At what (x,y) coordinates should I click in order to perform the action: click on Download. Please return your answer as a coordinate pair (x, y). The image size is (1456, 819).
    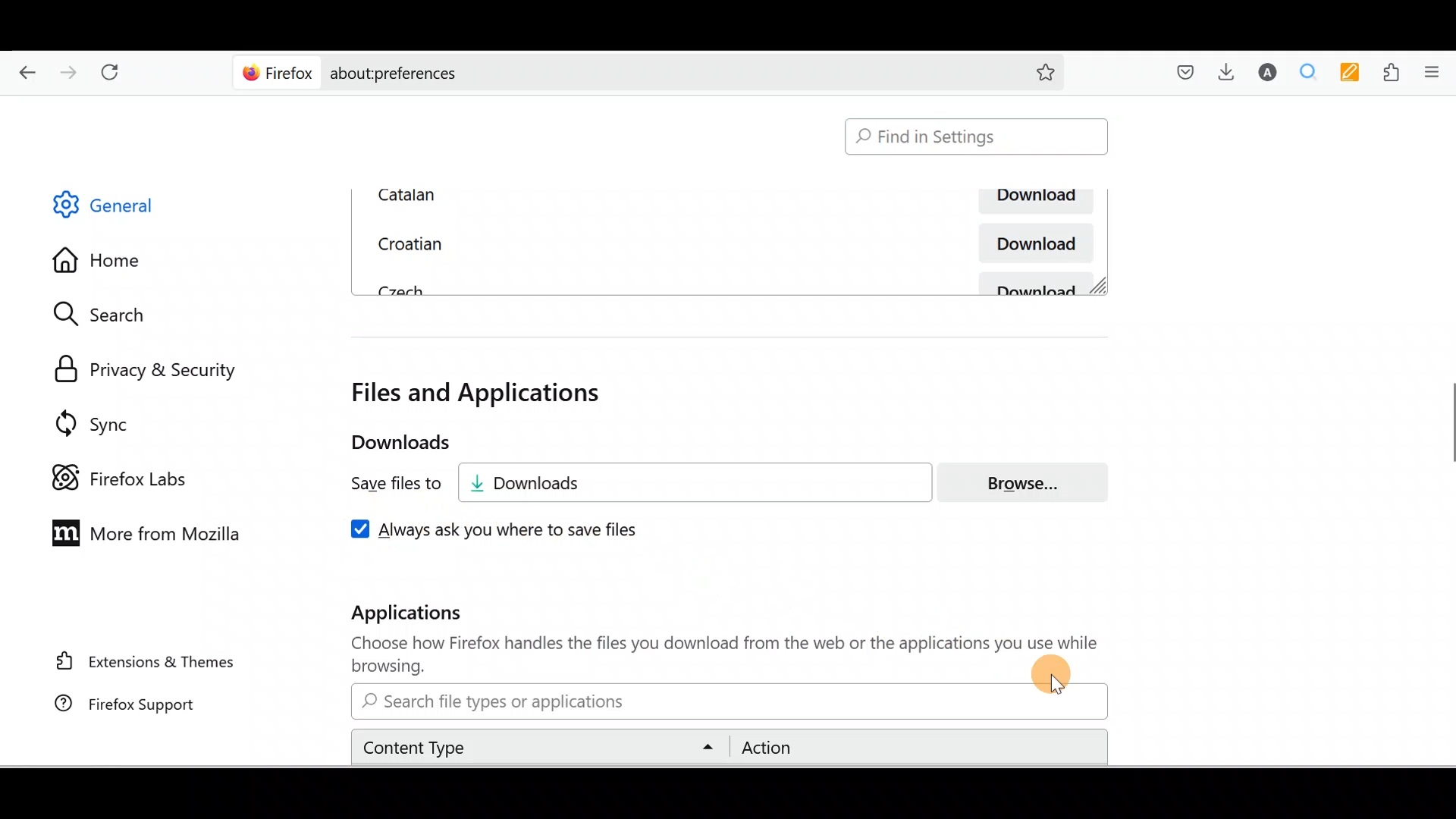
    Looking at the image, I should click on (1039, 284).